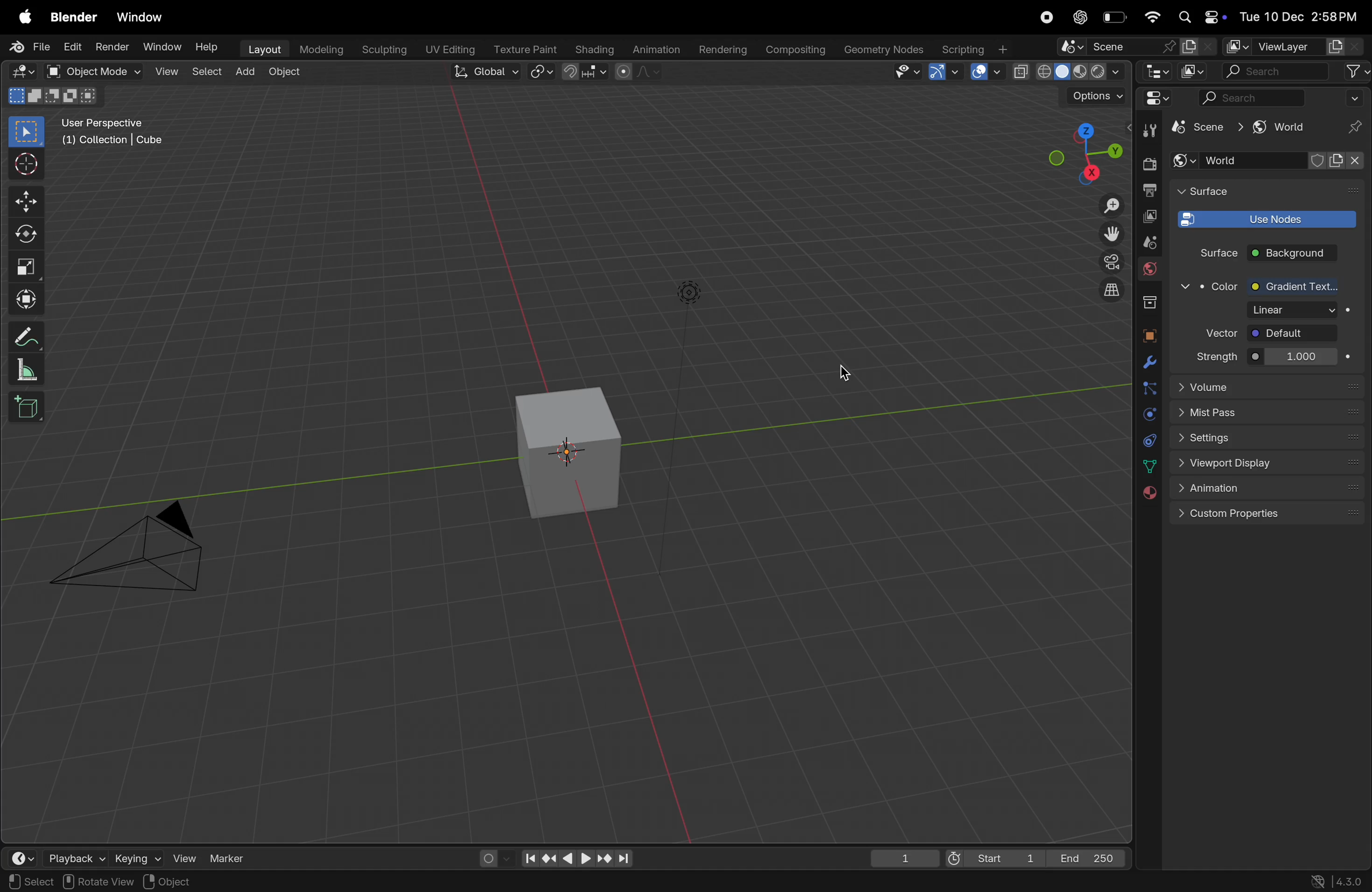 The width and height of the screenshot is (1372, 892). I want to click on texture paint, so click(522, 50).